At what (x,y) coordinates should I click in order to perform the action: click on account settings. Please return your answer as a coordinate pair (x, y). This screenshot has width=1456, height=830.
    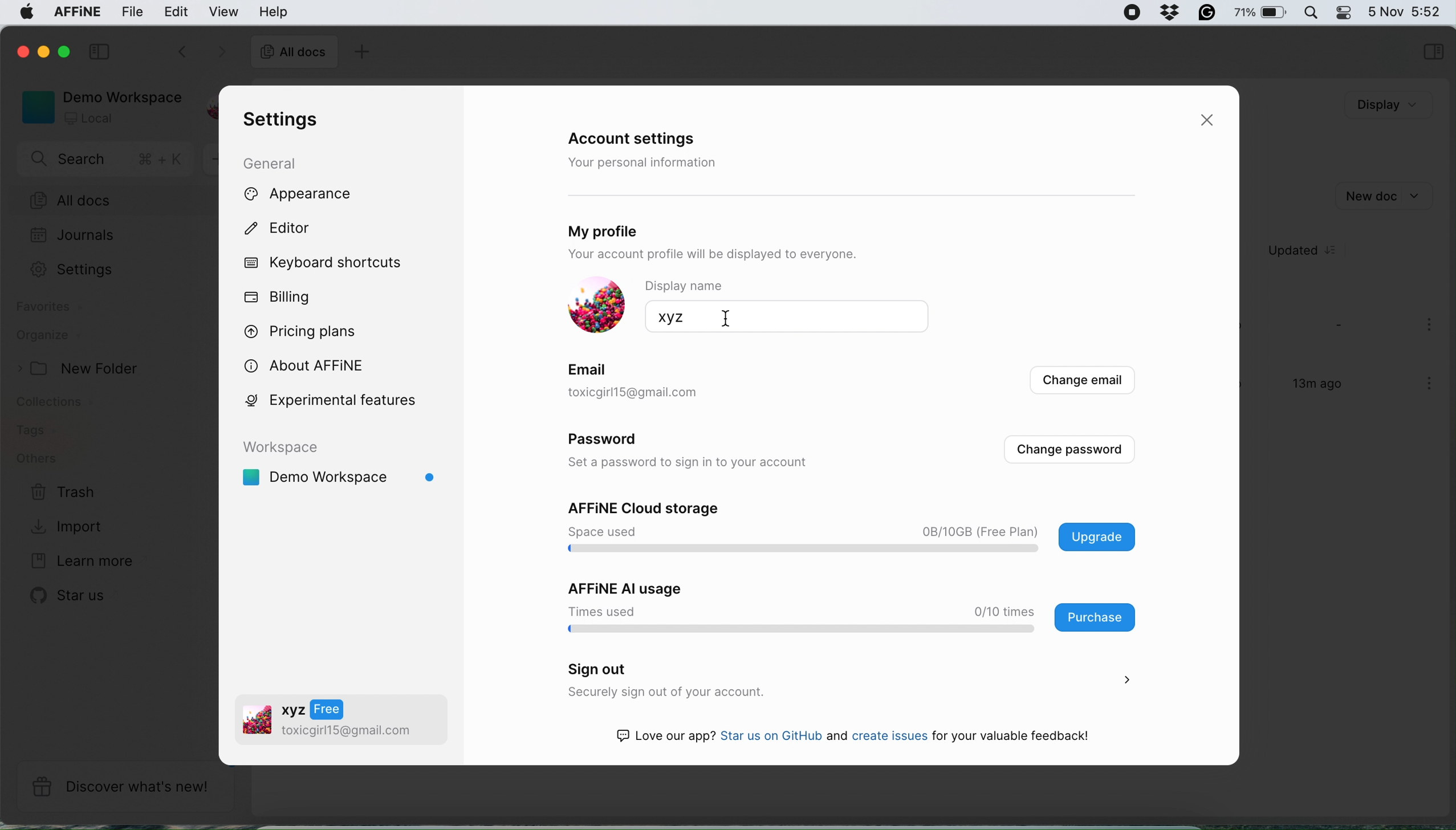
    Looking at the image, I should click on (640, 140).